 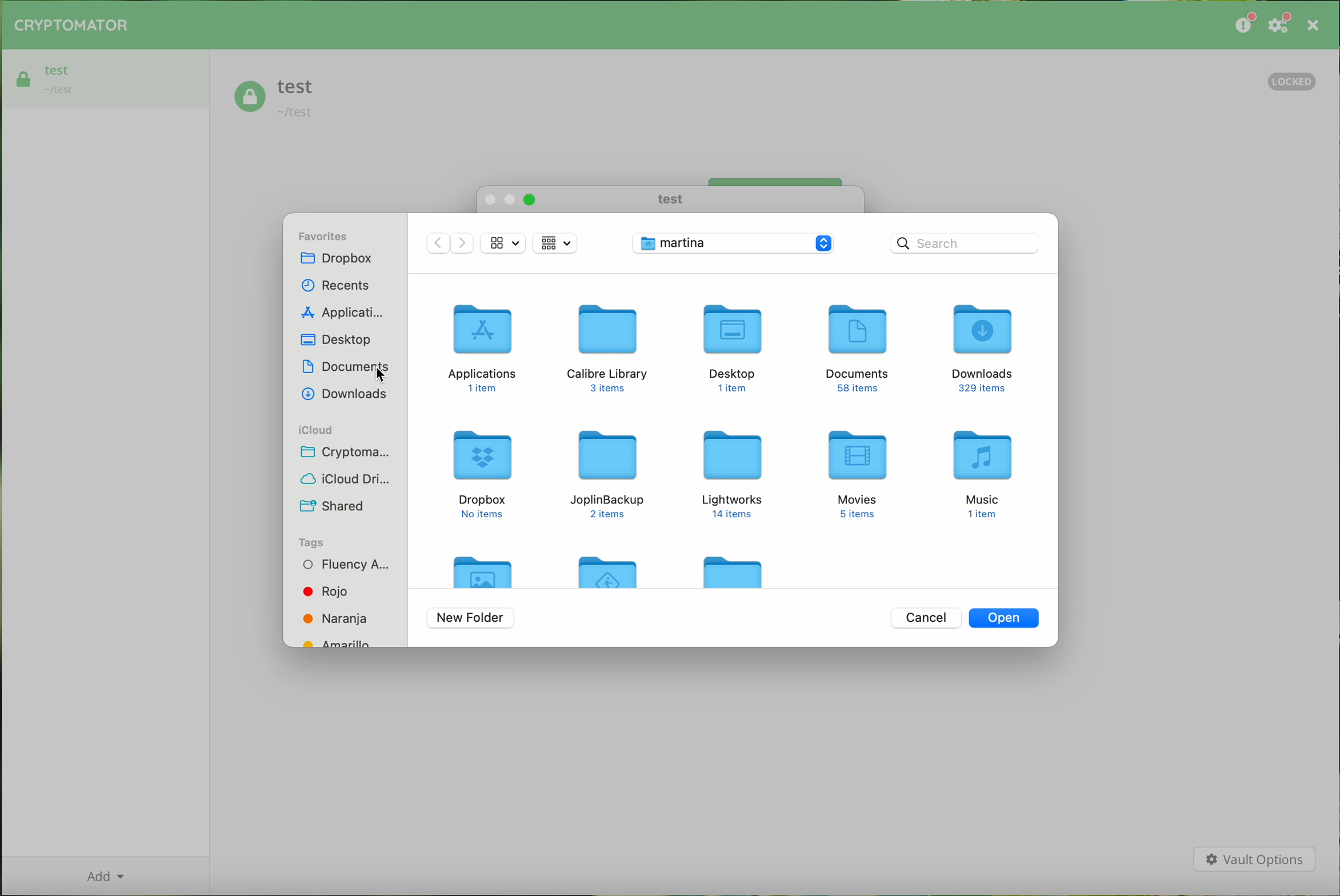 I want to click on vault options, so click(x=1254, y=860).